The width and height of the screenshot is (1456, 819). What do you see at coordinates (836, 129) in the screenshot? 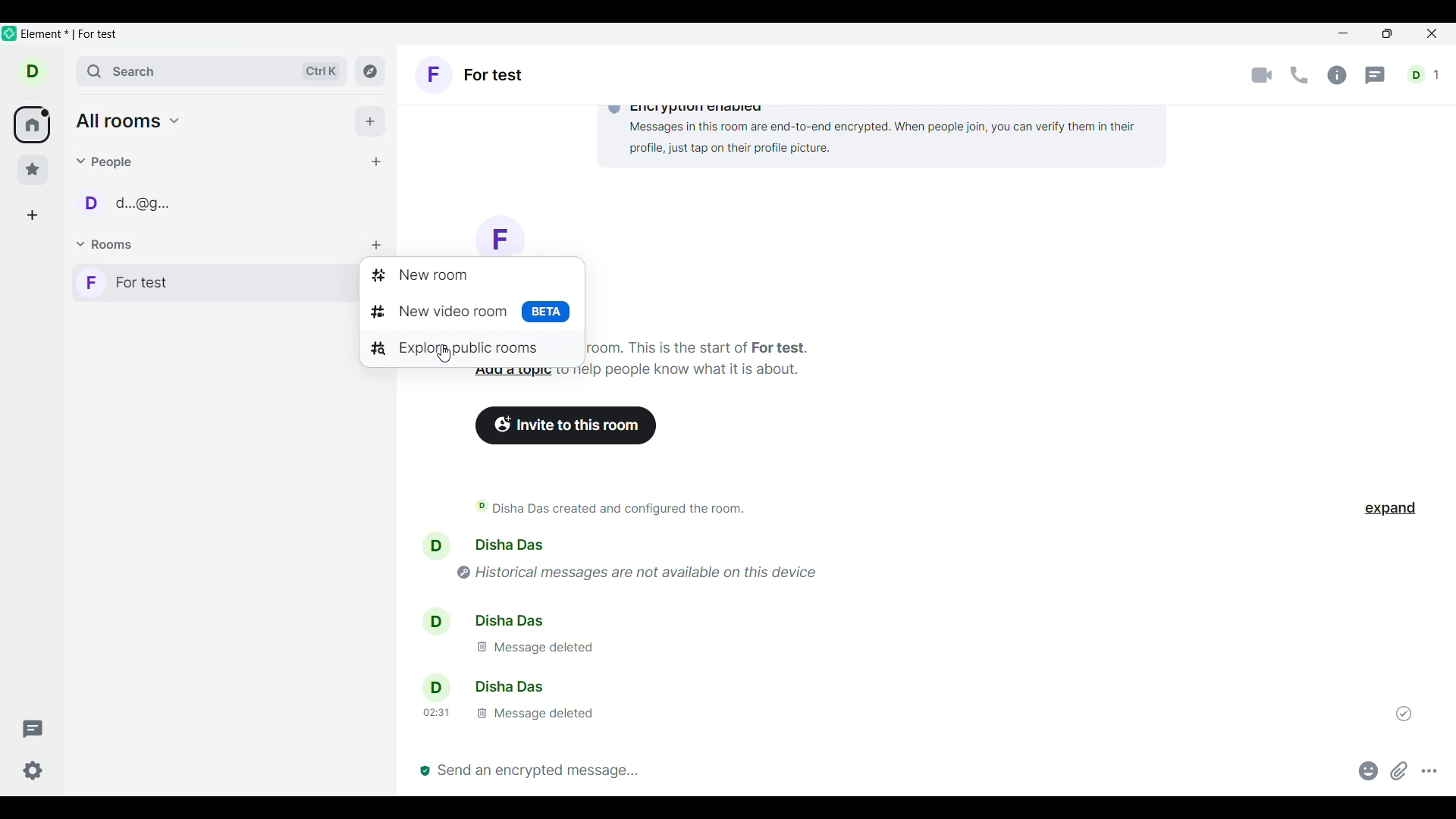
I see `Encryption enabled messages in this room are end to end encrypted. When people join you can verify them in their profile, just tap on their profile picture.` at bounding box center [836, 129].